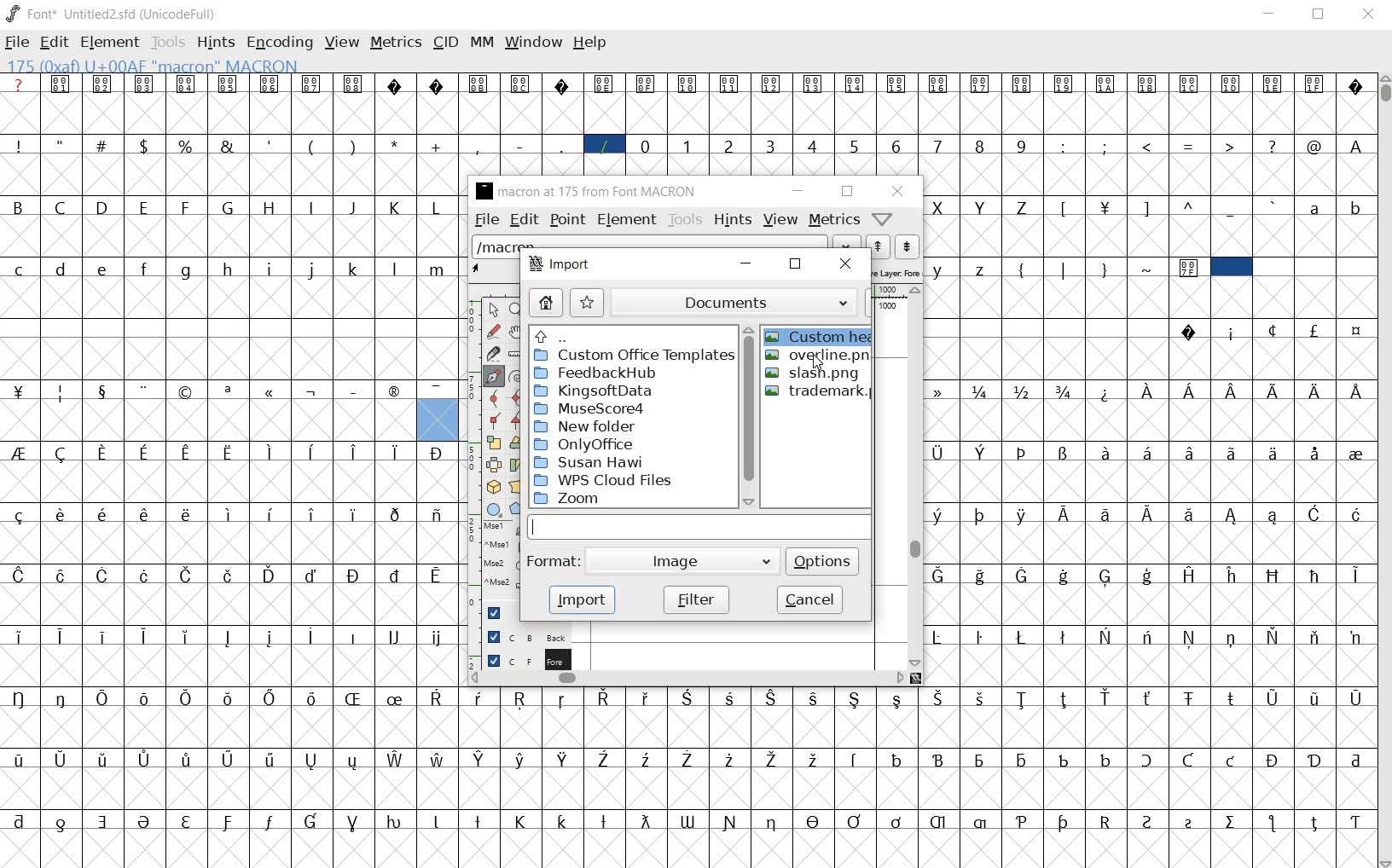 The height and width of the screenshot is (868, 1392). What do you see at coordinates (774, 758) in the screenshot?
I see `Symbol` at bounding box center [774, 758].